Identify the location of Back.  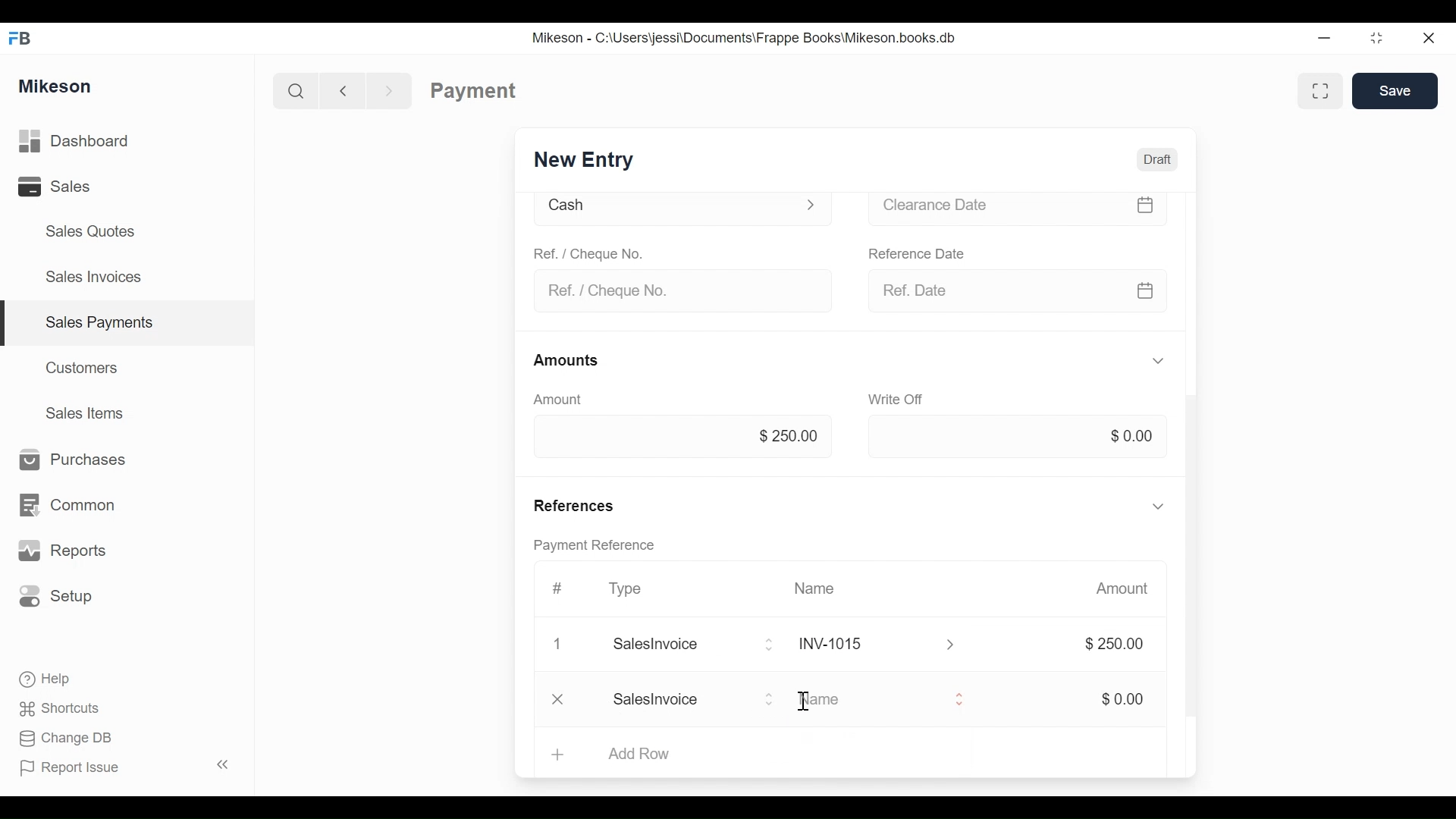
(350, 89).